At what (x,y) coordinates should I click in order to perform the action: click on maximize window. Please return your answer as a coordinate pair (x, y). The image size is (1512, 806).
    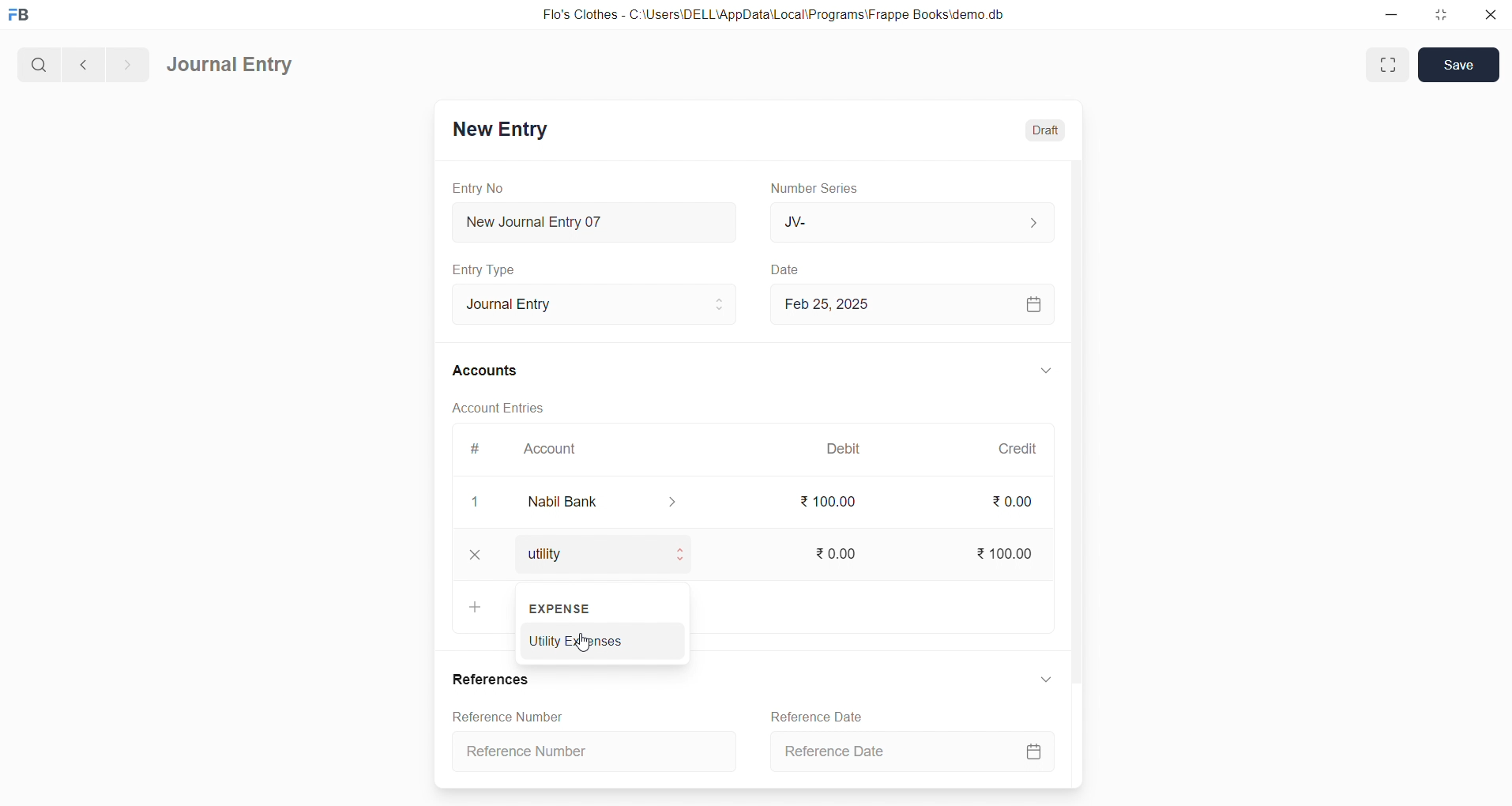
    Looking at the image, I should click on (1385, 64).